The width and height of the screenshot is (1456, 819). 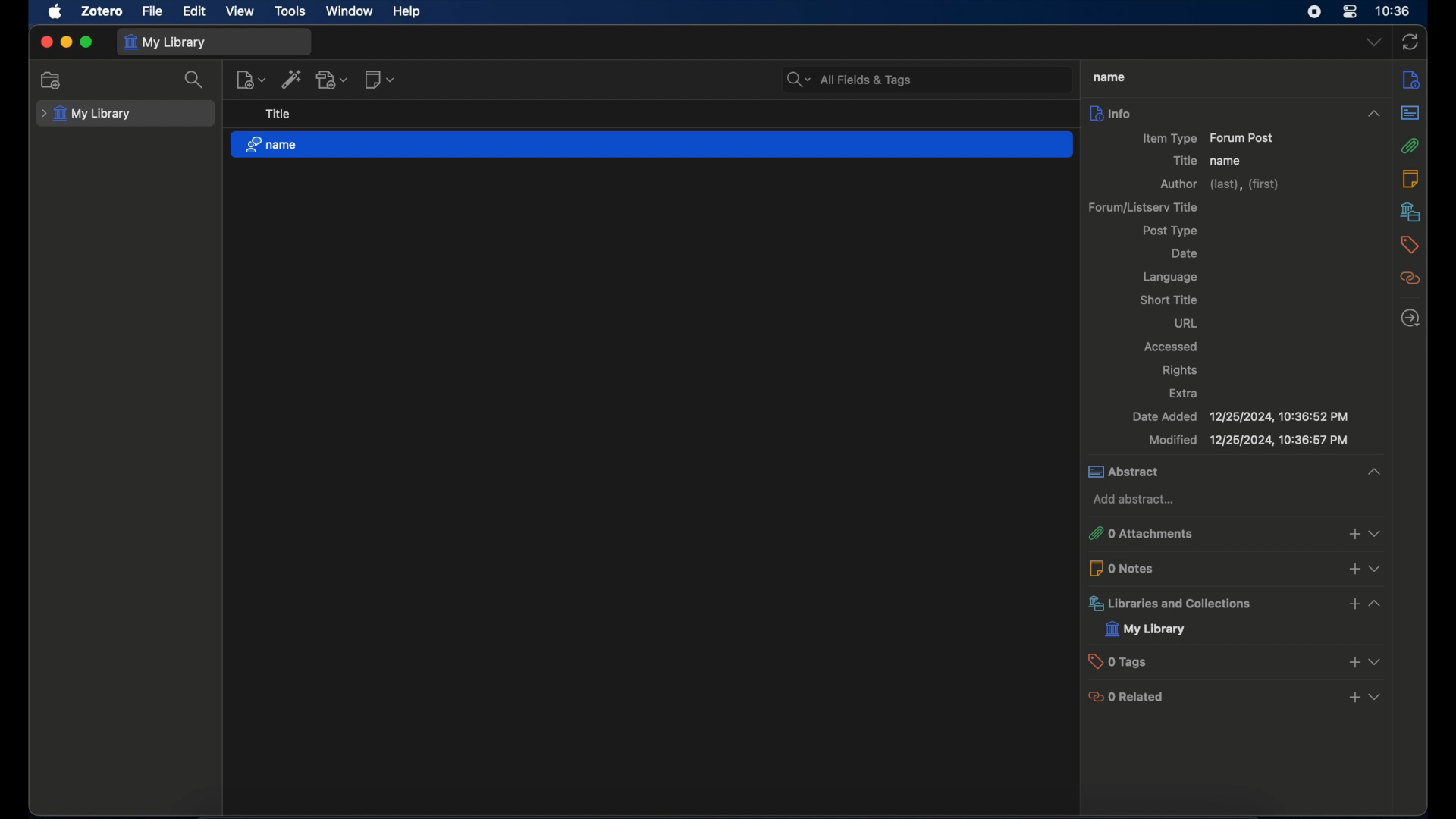 What do you see at coordinates (350, 11) in the screenshot?
I see `window` at bounding box center [350, 11].